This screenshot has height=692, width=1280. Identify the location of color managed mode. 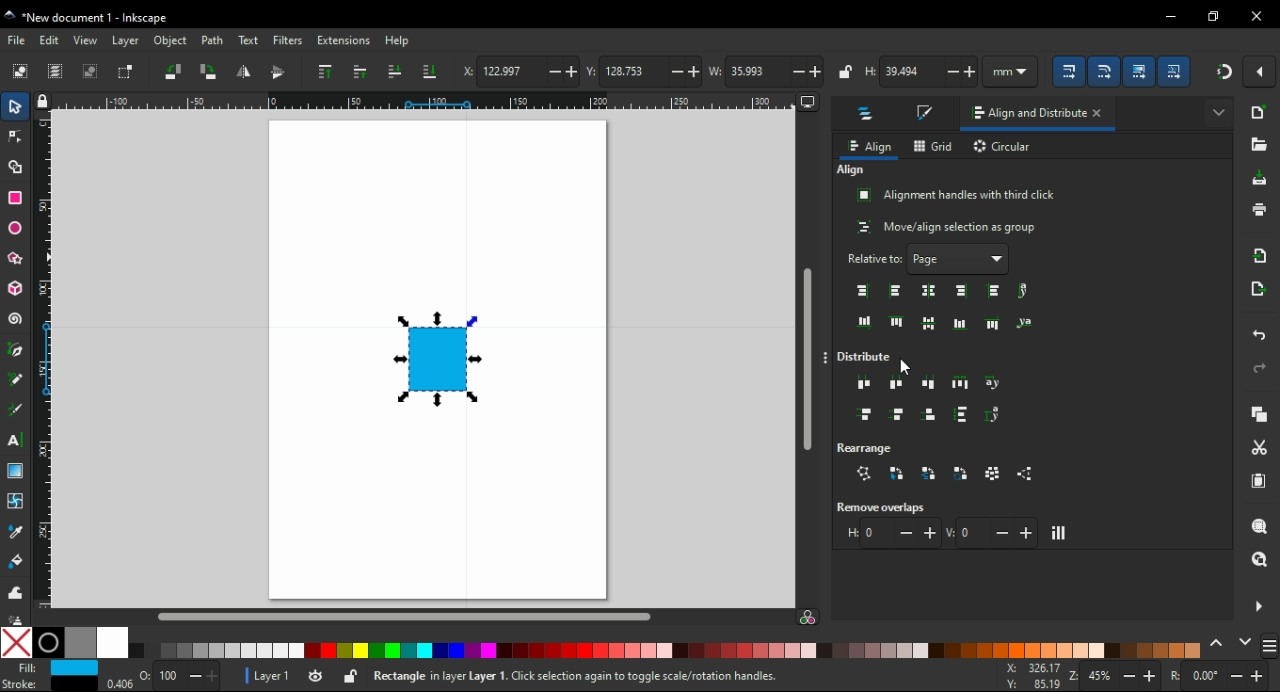
(807, 619).